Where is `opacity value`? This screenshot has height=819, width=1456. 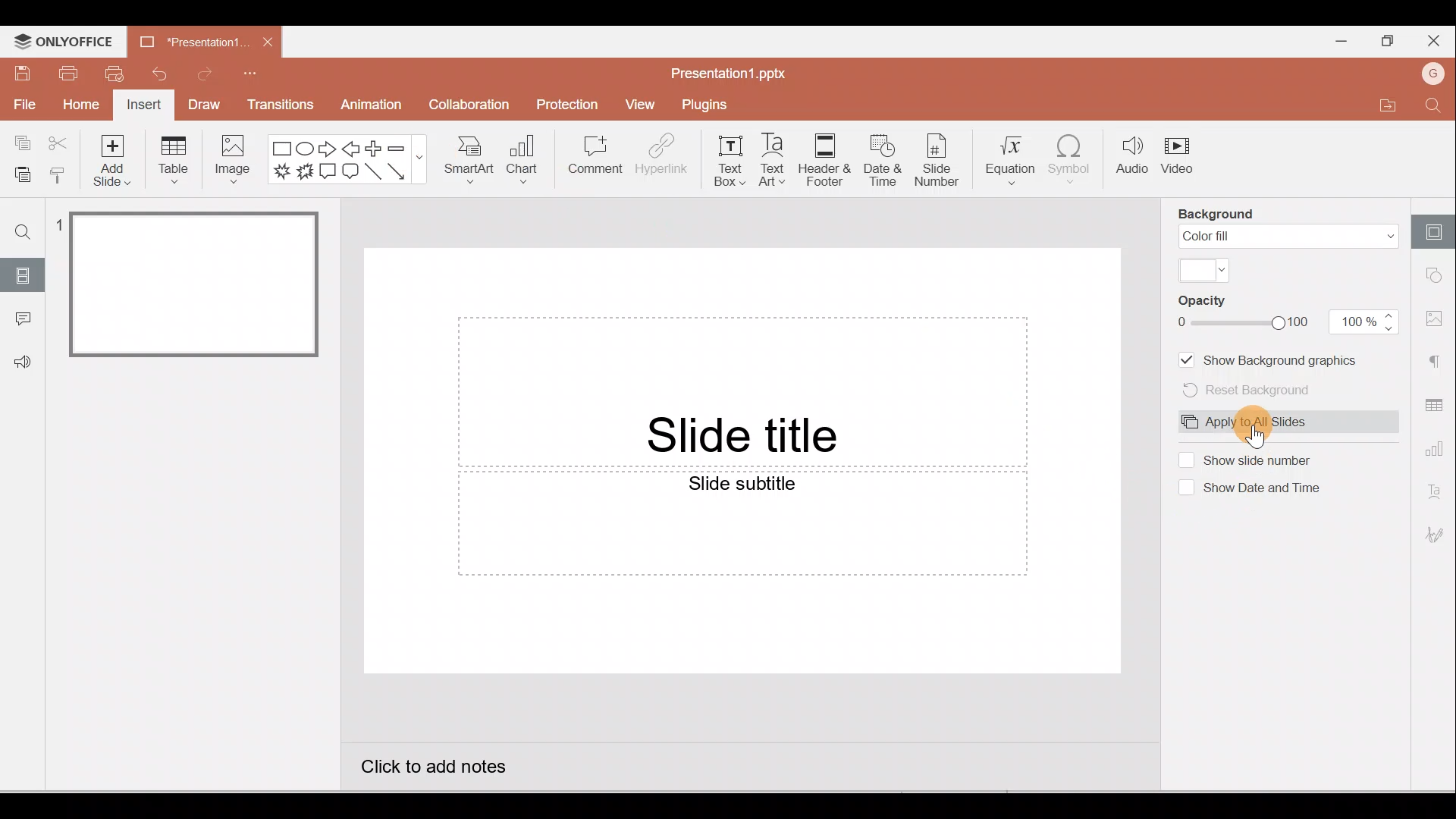
opacity value is located at coordinates (1366, 322).